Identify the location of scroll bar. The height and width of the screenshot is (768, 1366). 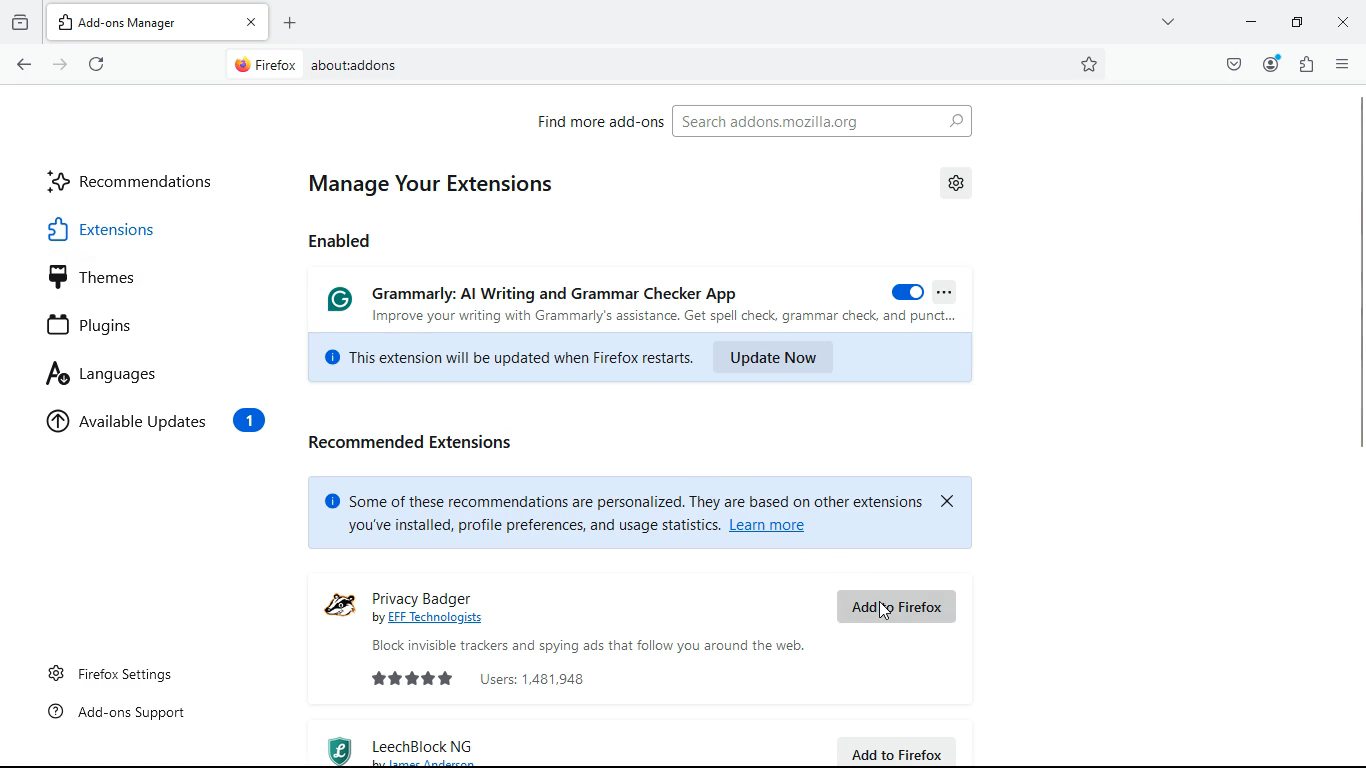
(1357, 399).